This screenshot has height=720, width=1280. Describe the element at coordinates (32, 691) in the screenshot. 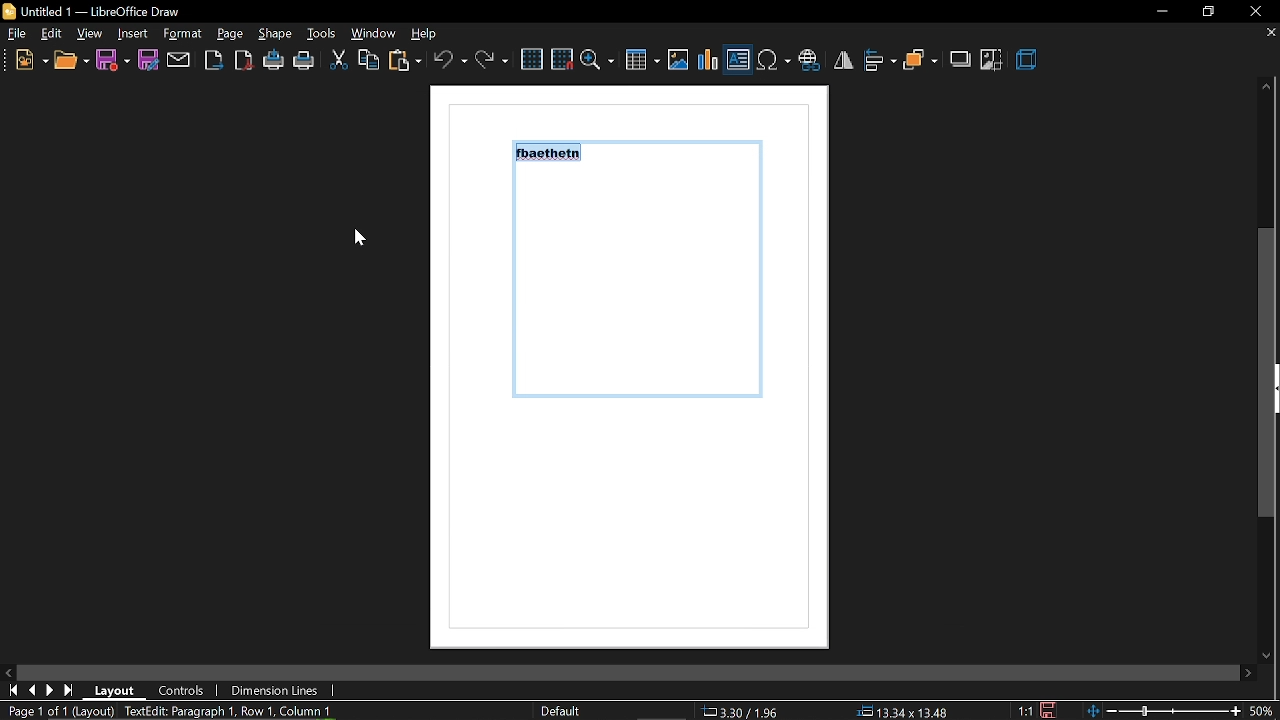

I see `go to previous page` at that location.